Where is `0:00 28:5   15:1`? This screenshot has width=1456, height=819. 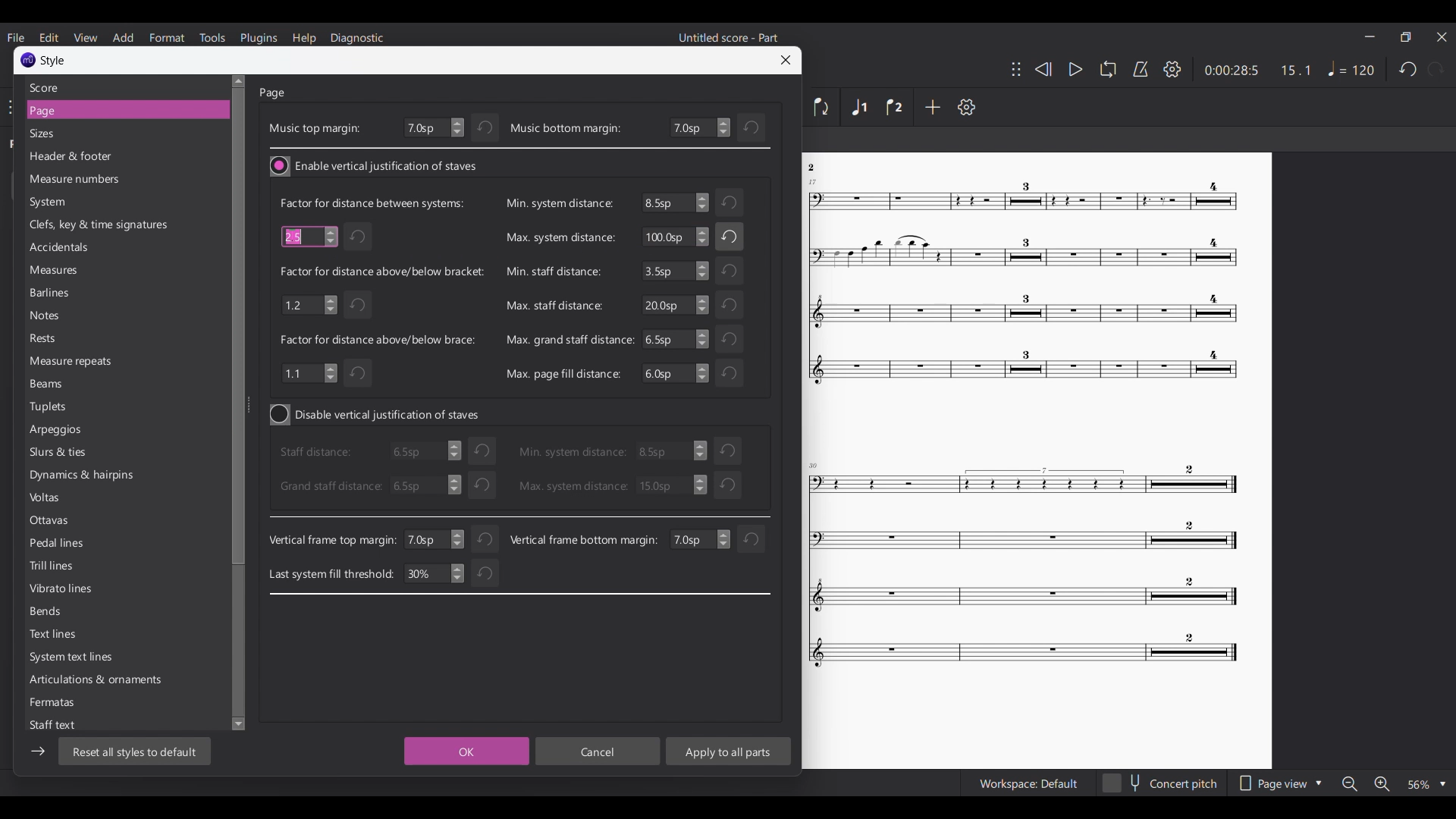
0:00 28:5   15:1 is located at coordinates (1257, 71).